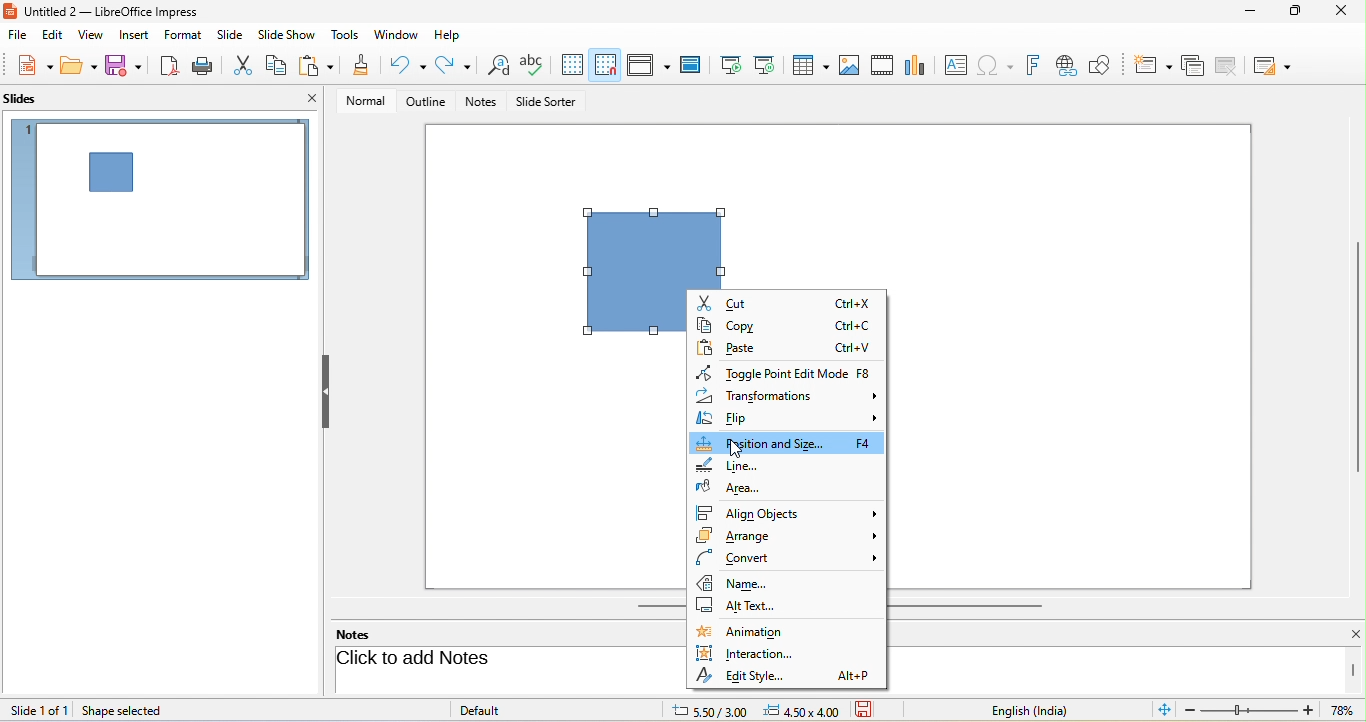 Image resolution: width=1366 pixels, height=722 pixels. What do you see at coordinates (325, 392) in the screenshot?
I see `hide` at bounding box center [325, 392].